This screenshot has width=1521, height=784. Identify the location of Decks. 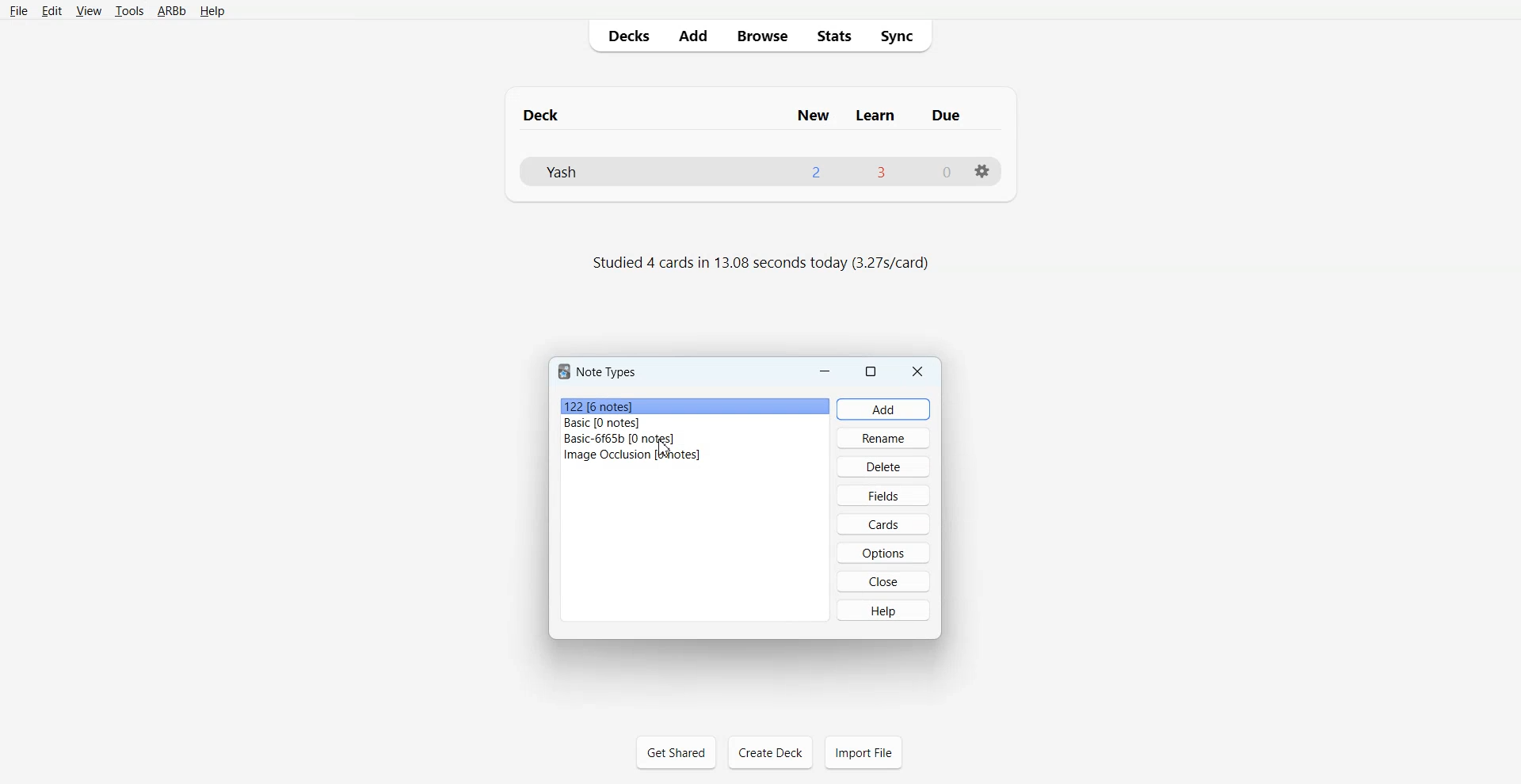
(625, 36).